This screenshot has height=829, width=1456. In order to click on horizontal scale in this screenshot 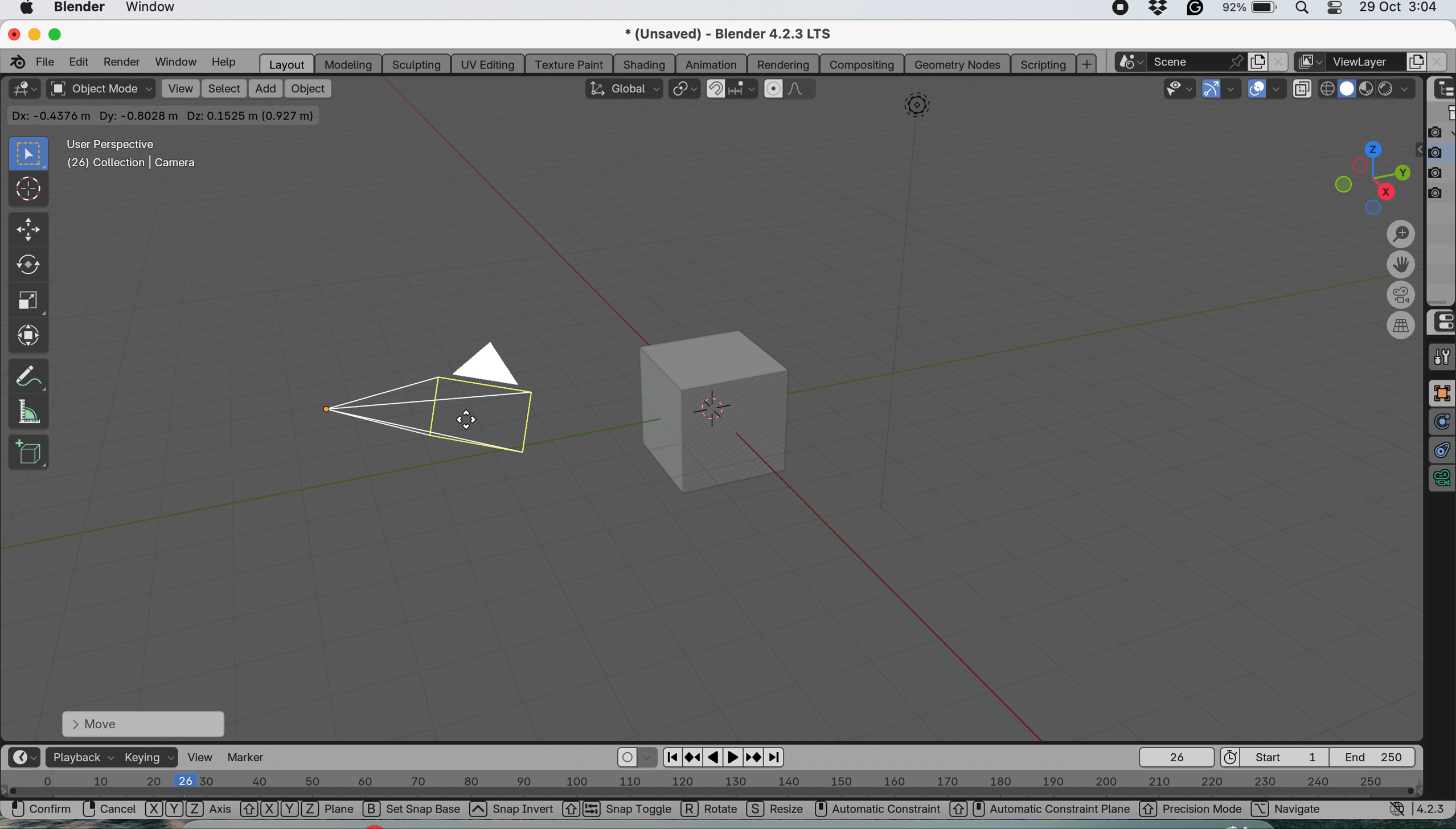, I will do `click(712, 786)`.